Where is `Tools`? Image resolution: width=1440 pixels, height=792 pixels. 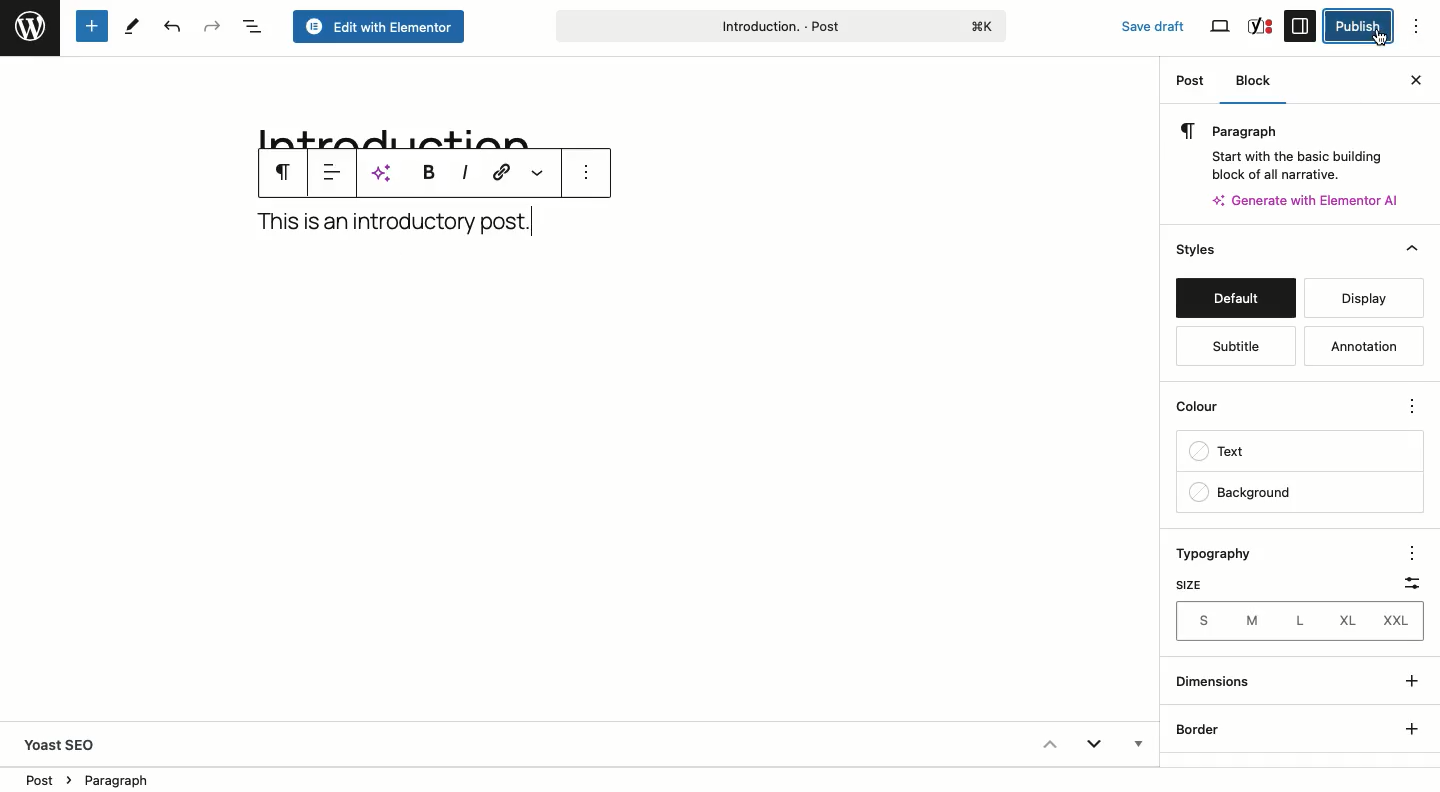
Tools is located at coordinates (133, 25).